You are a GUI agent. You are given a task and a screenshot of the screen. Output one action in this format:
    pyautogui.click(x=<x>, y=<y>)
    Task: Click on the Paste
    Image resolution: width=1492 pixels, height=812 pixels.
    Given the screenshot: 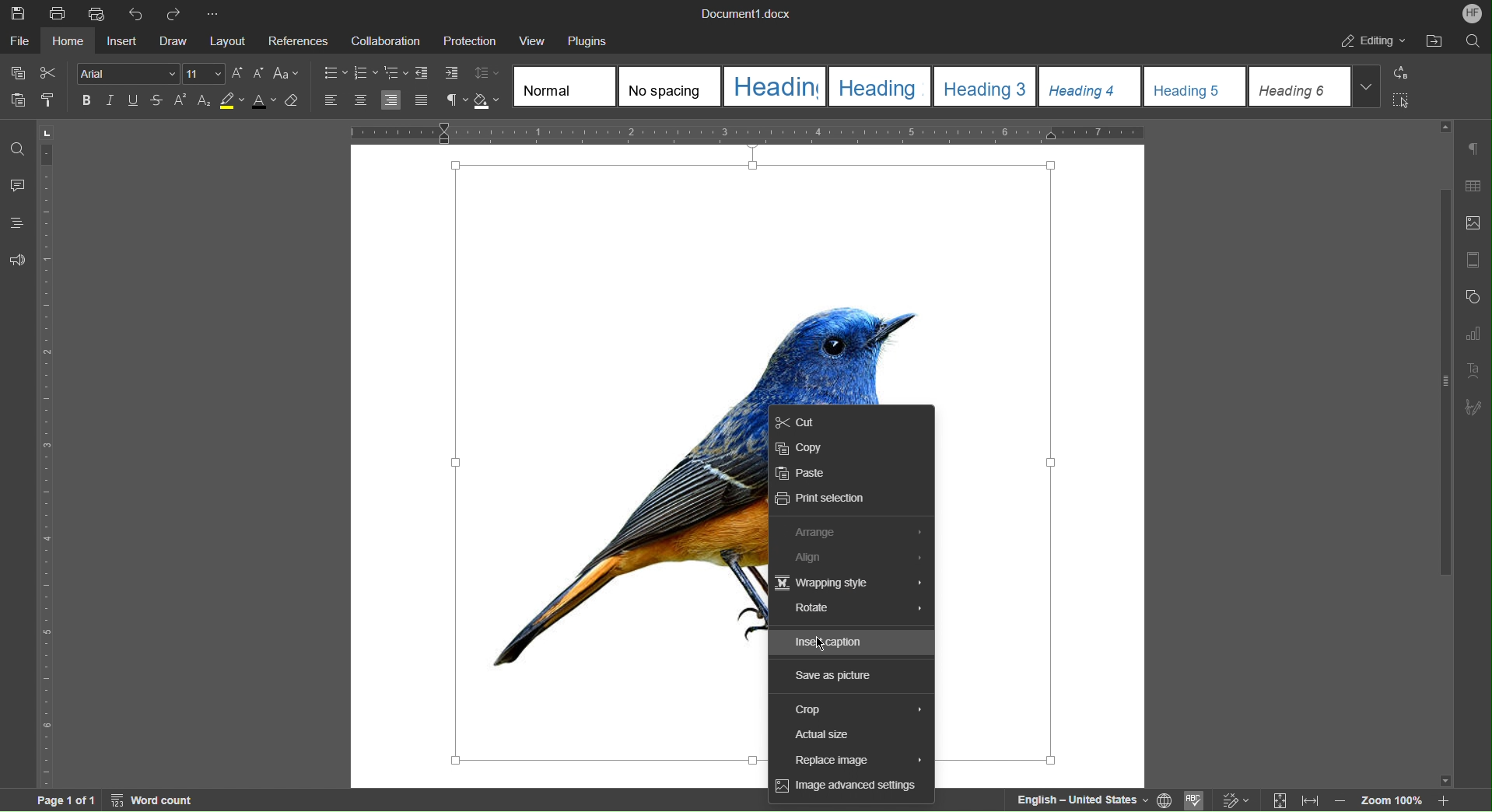 What is the action you would take?
    pyautogui.click(x=805, y=474)
    